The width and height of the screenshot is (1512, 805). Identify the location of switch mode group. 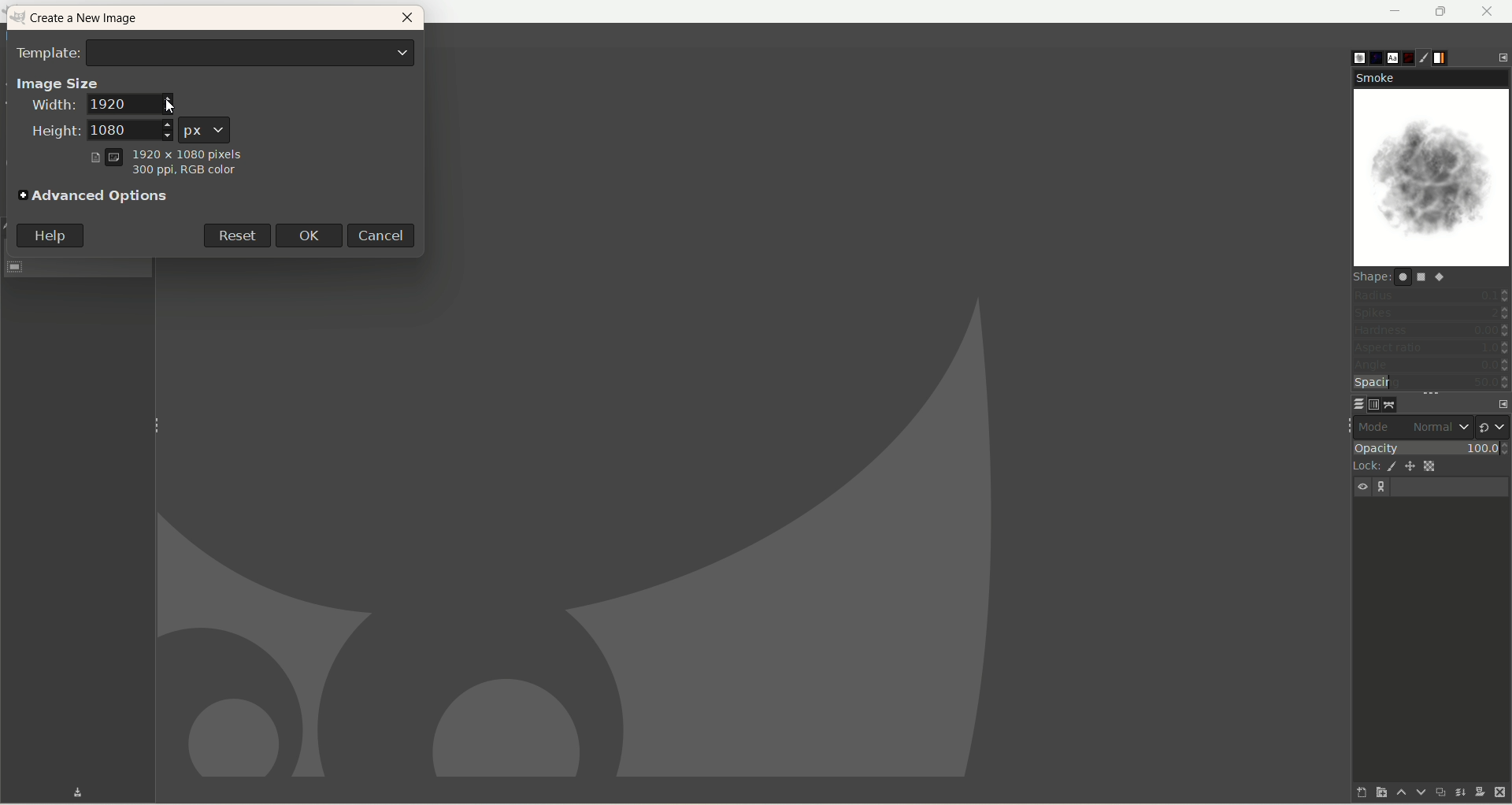
(1493, 423).